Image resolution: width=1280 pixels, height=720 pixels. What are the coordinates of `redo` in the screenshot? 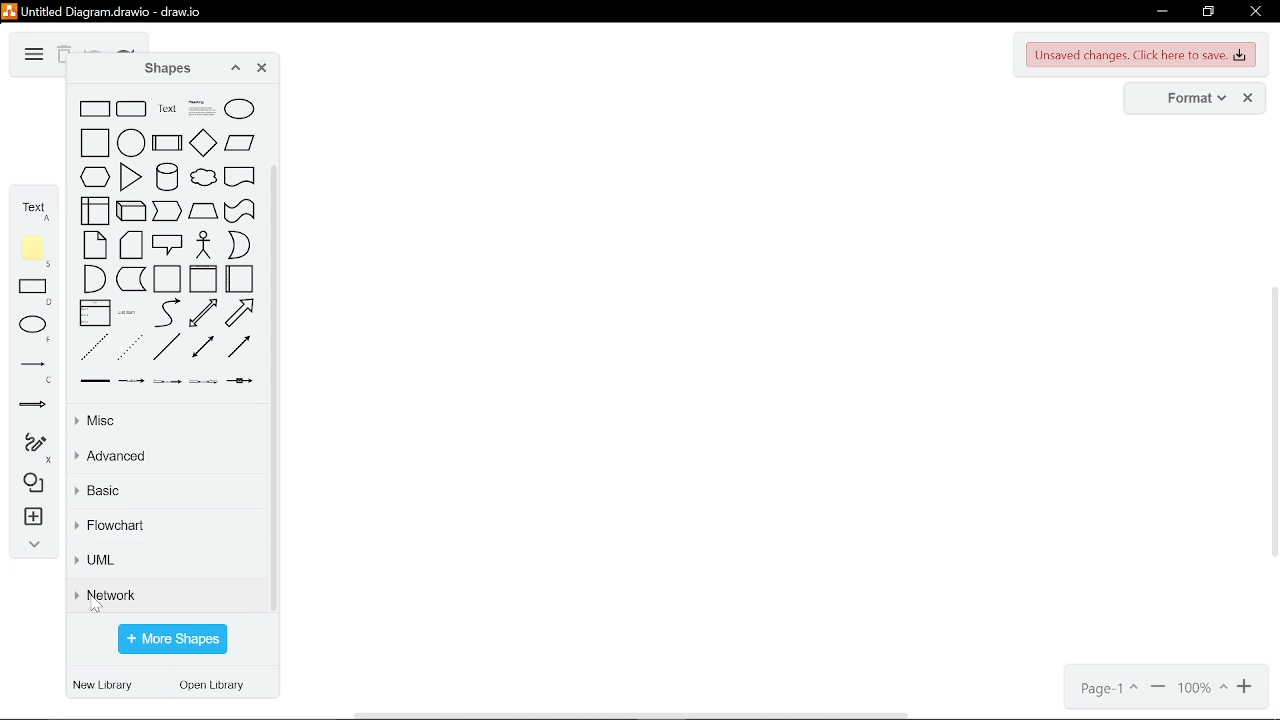 It's located at (126, 50).